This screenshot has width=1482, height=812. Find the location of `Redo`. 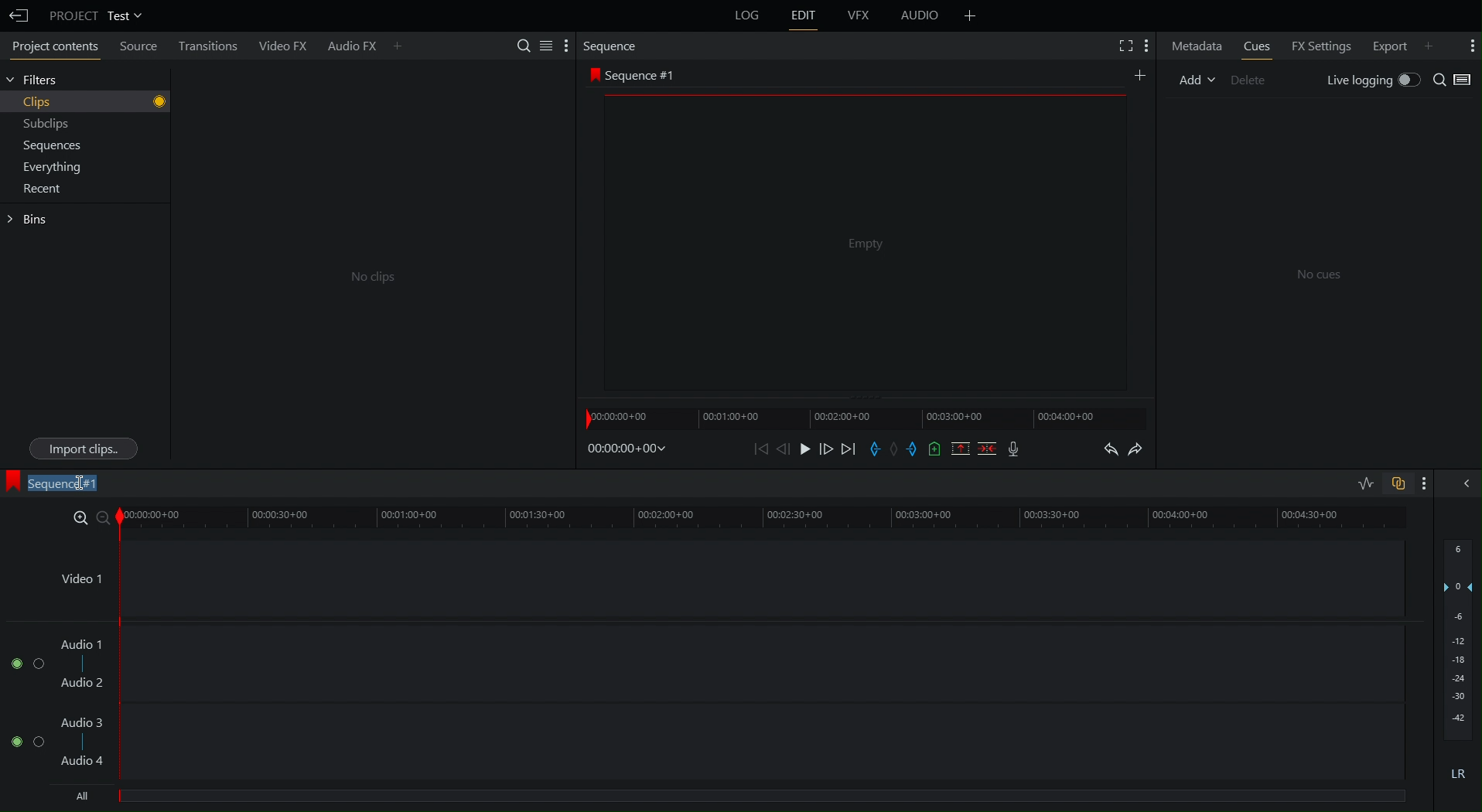

Redo is located at coordinates (1143, 448).